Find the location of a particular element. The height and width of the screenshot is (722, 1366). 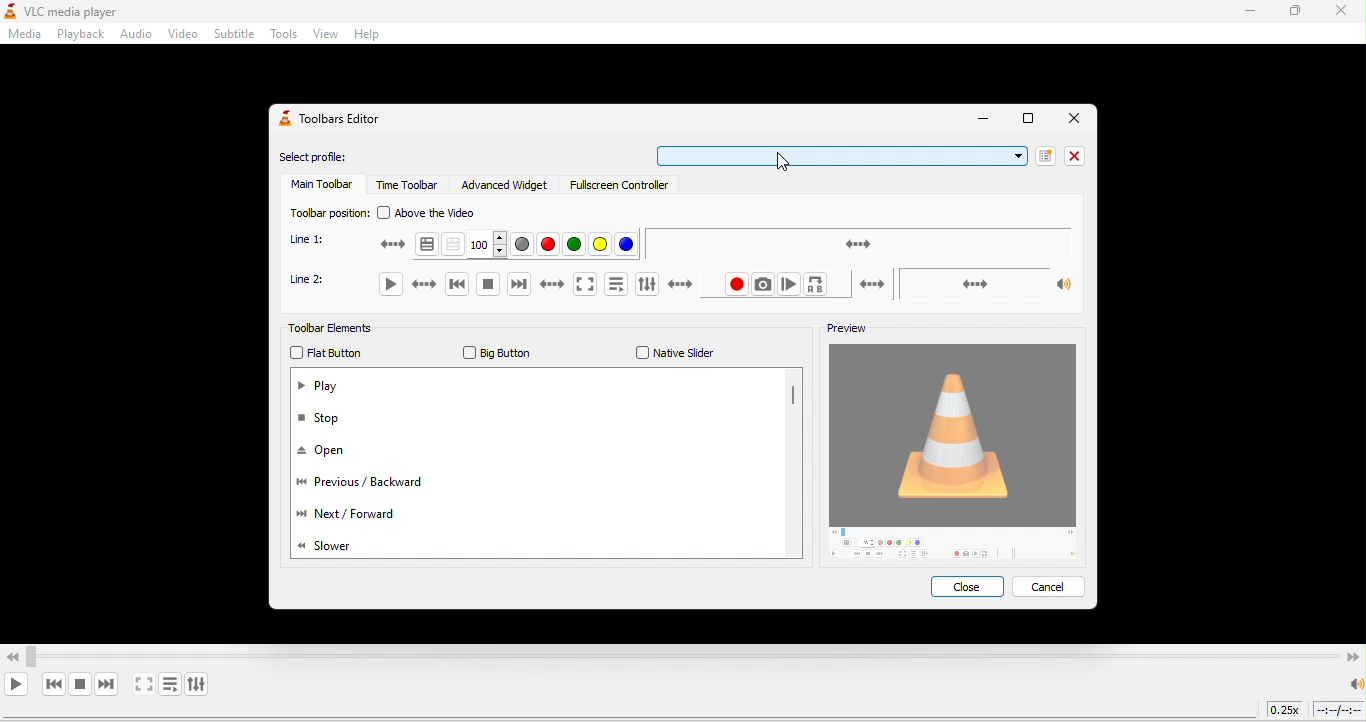

line 1 is located at coordinates (315, 240).